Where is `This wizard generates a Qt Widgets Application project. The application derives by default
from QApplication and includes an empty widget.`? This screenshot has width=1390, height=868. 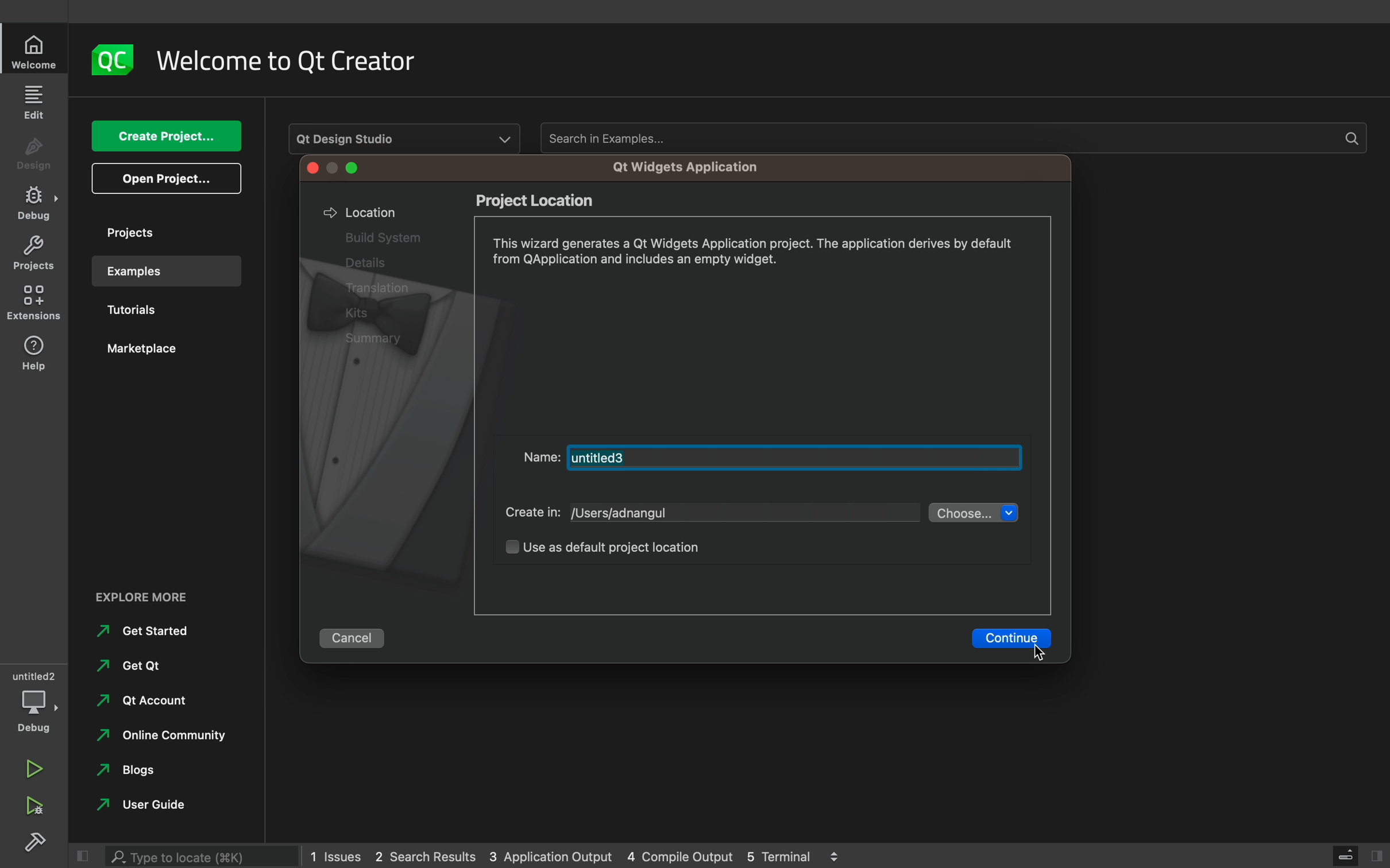
This wizard generates a Qt Widgets Application project. The application derives by default
from QApplication and includes an empty widget. is located at coordinates (761, 254).